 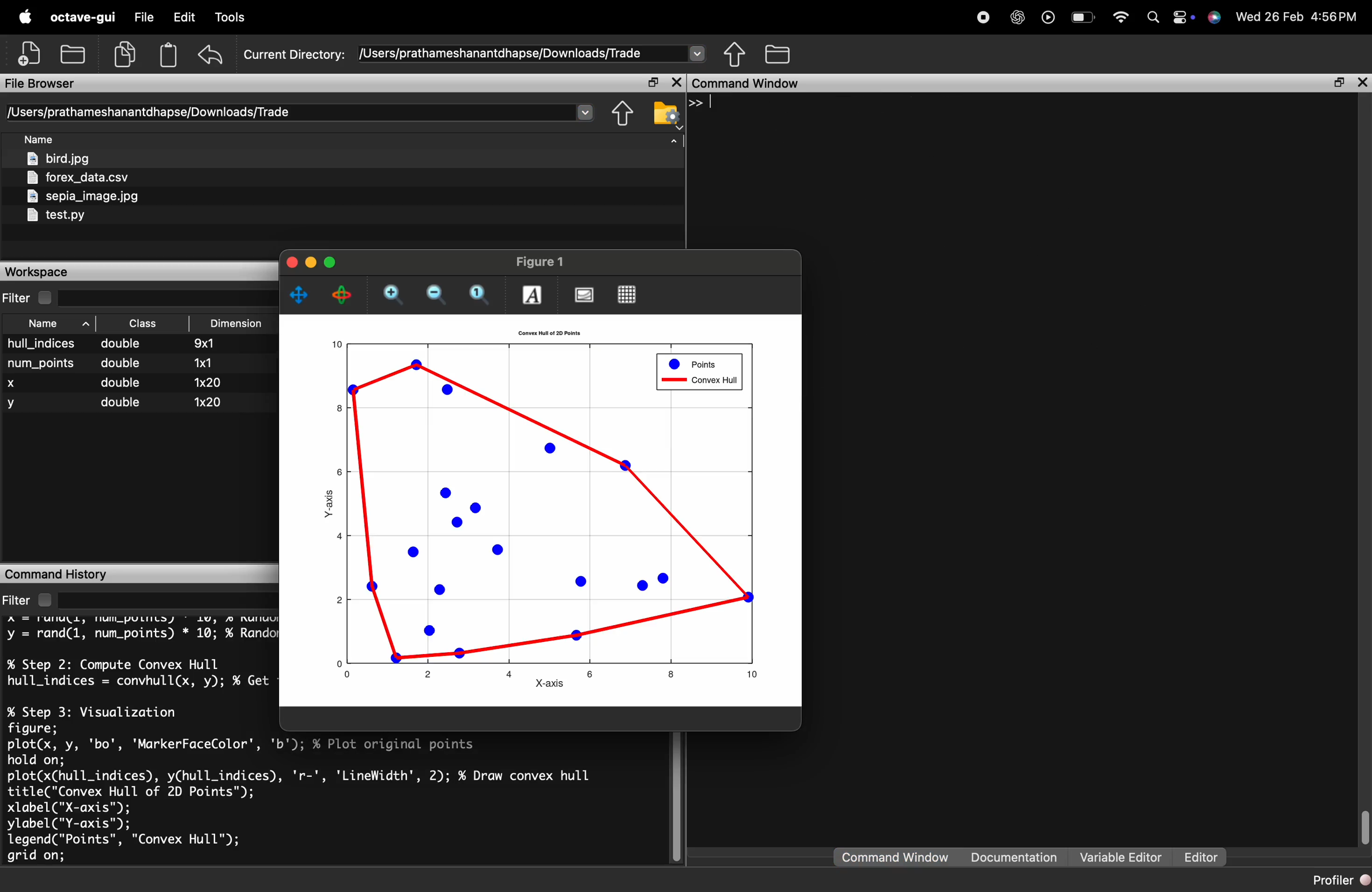 What do you see at coordinates (777, 54) in the screenshot?
I see `folder ` at bounding box center [777, 54].